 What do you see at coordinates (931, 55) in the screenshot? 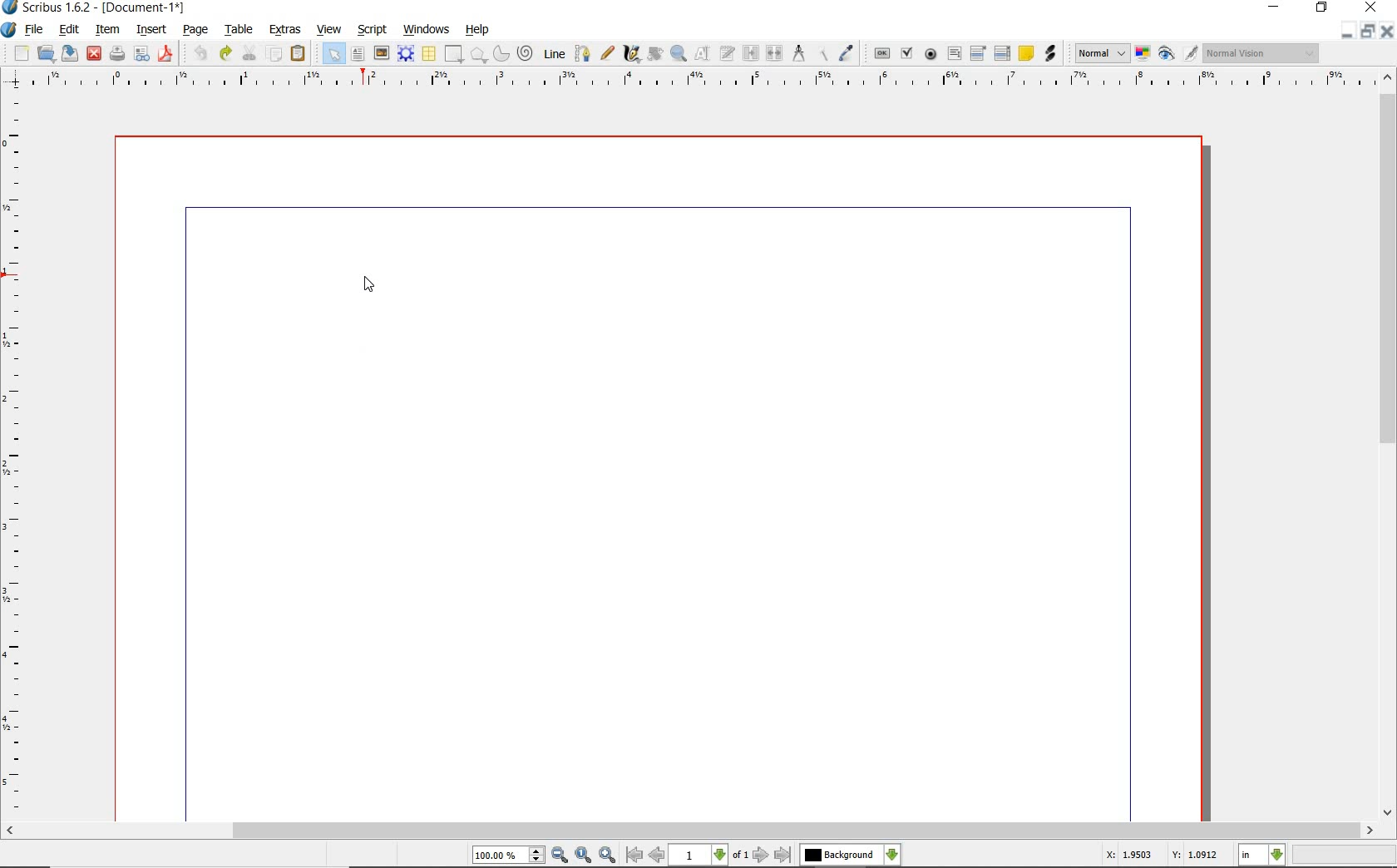
I see `pdf radio box` at bounding box center [931, 55].